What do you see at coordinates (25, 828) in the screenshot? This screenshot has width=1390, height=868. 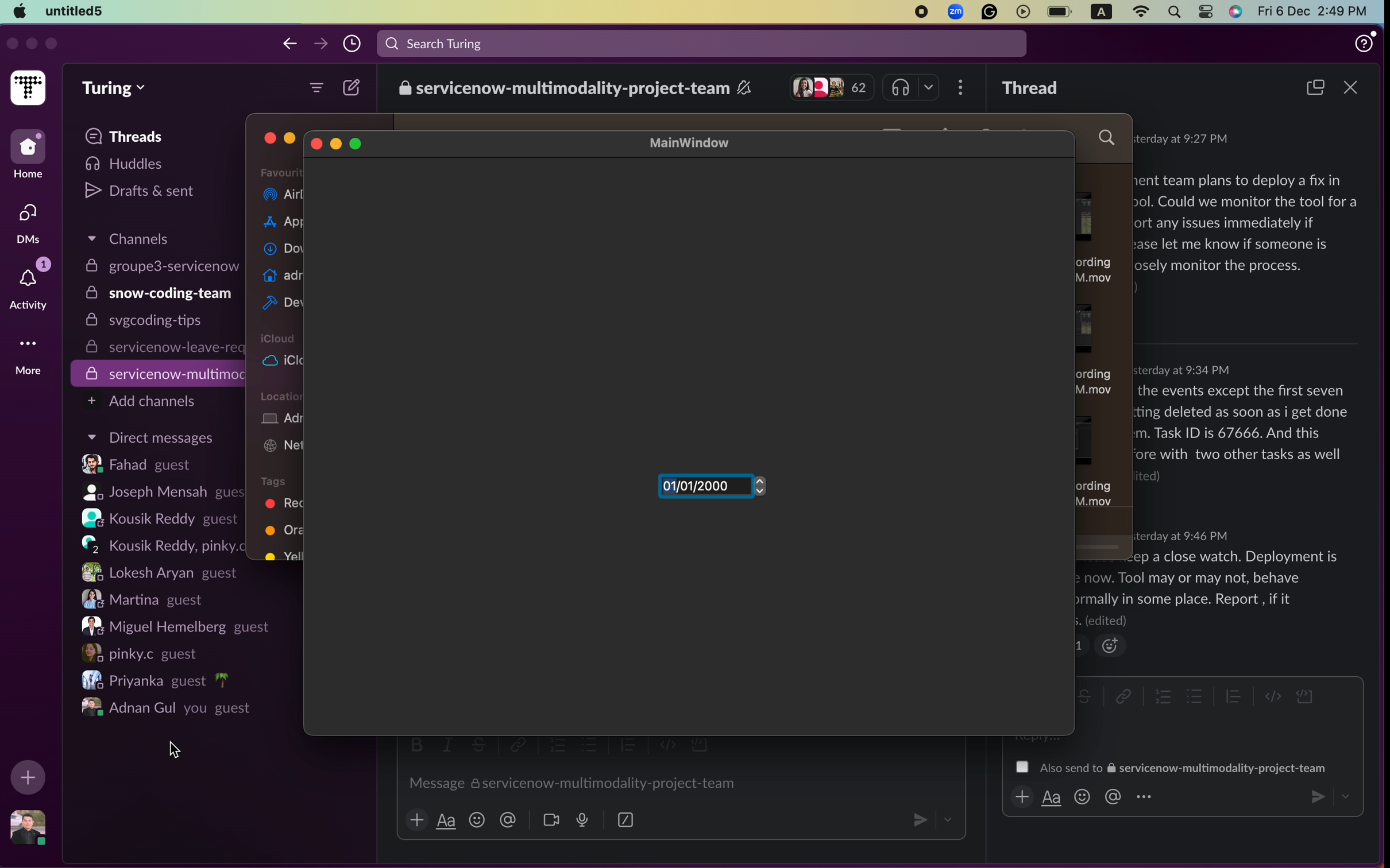 I see `image` at bounding box center [25, 828].